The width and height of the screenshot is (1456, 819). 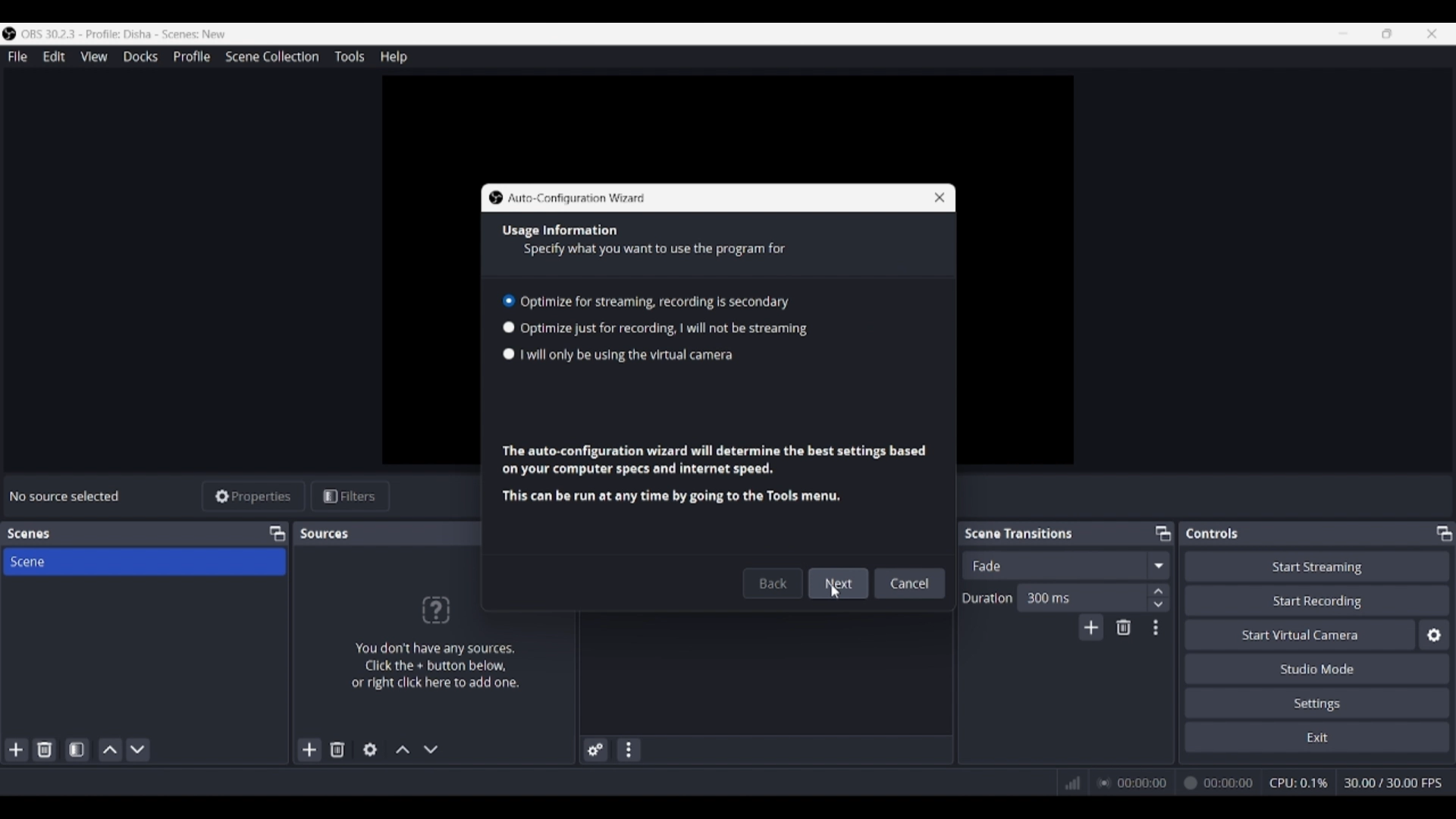 I want to click on Move scene up, so click(x=111, y=750).